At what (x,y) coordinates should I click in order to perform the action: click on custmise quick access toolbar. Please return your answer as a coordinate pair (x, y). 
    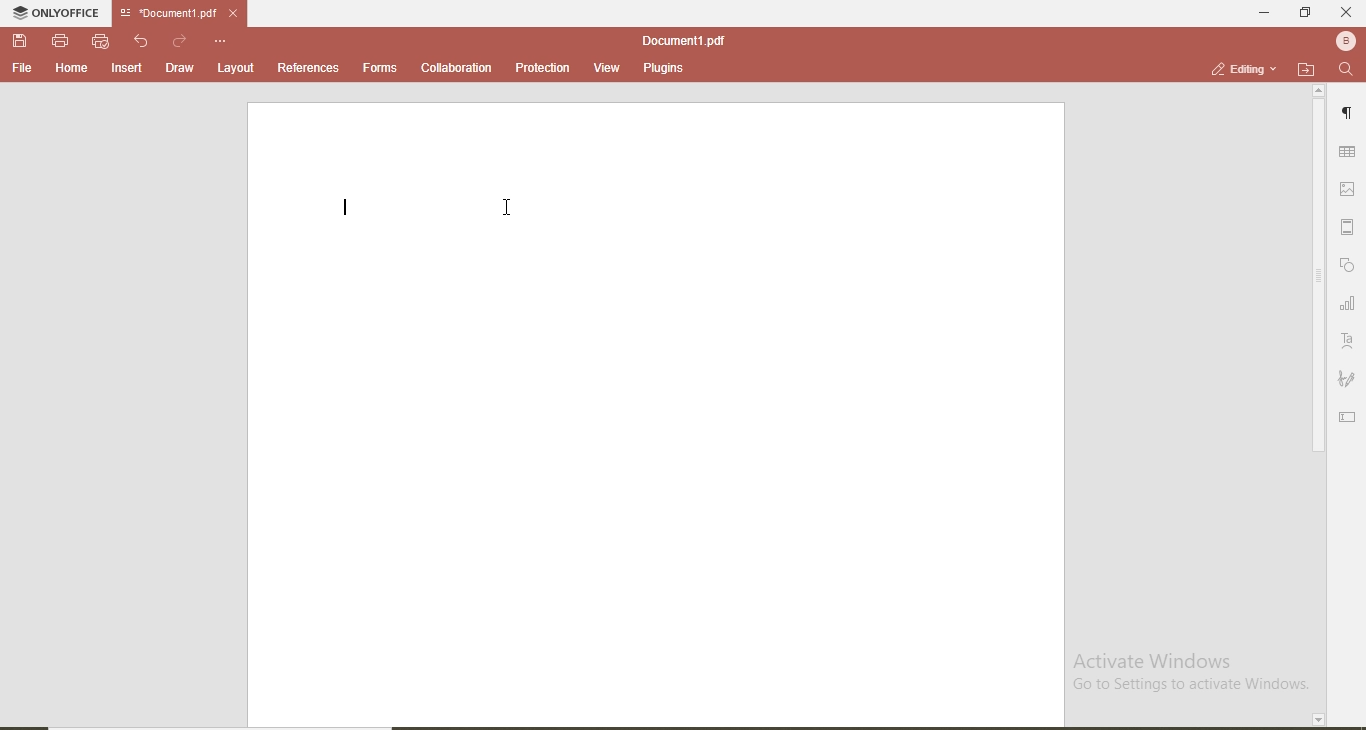
    Looking at the image, I should click on (220, 40).